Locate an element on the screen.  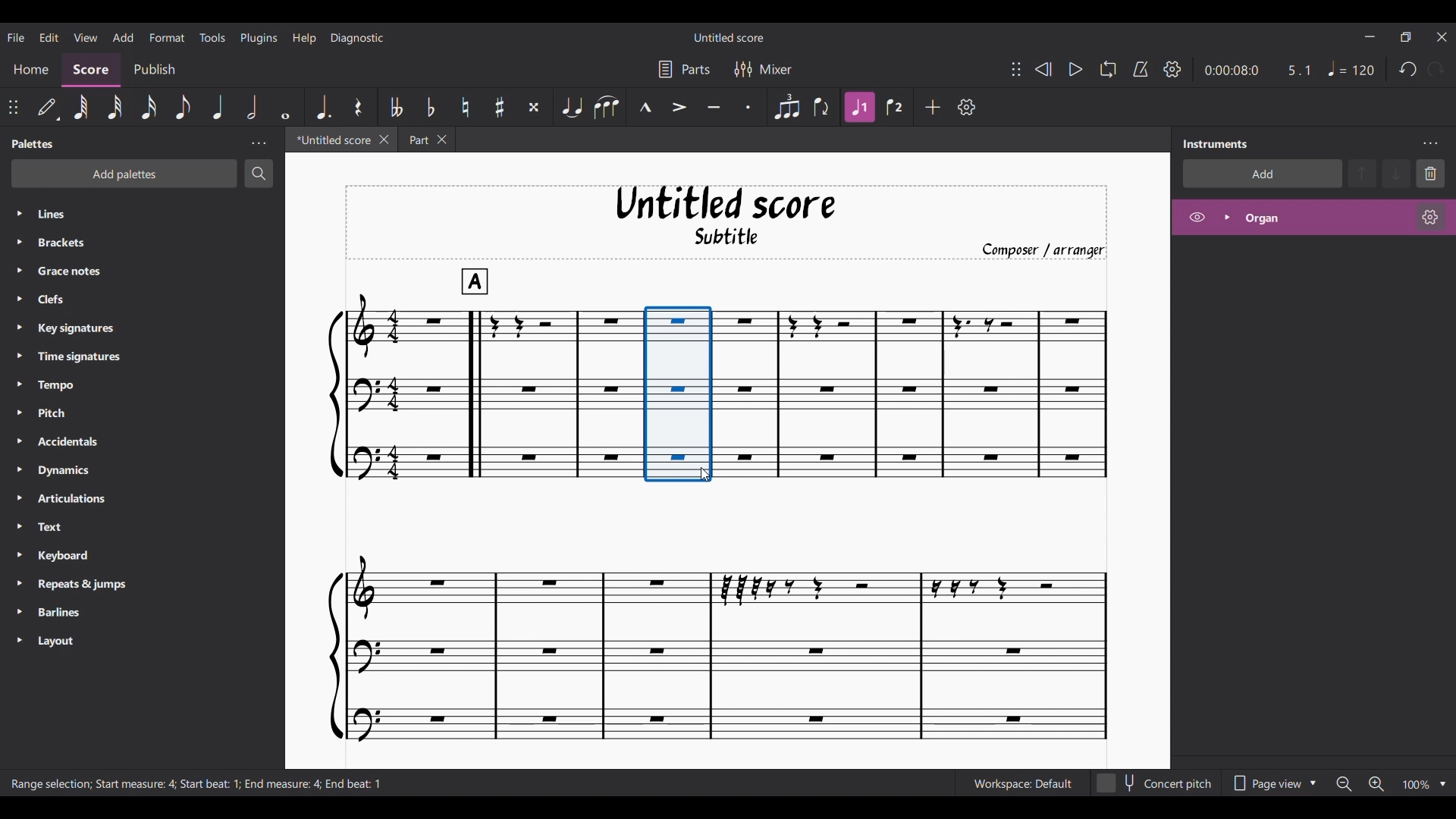
Accent is located at coordinates (679, 108).